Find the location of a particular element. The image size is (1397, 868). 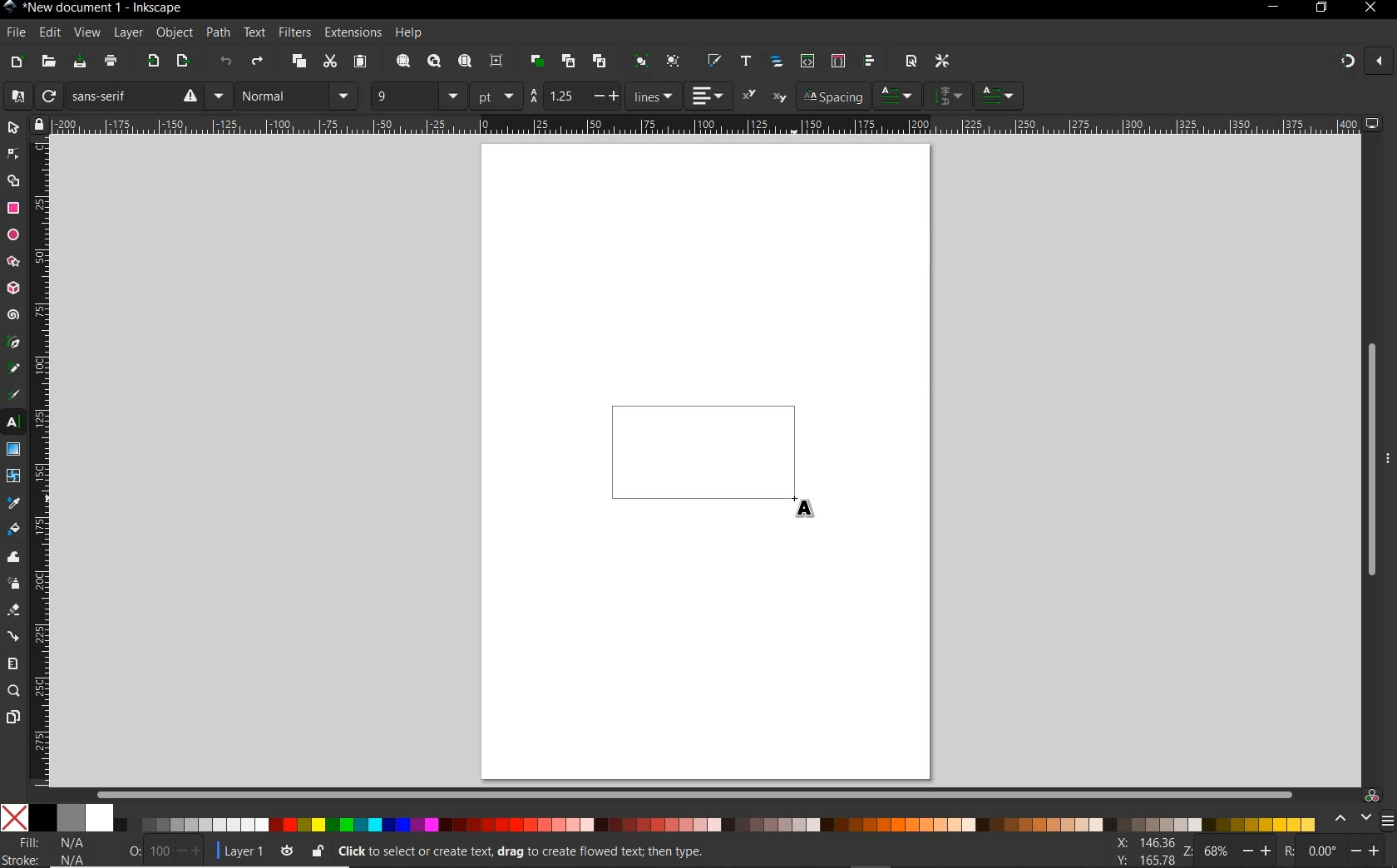

open preferences is located at coordinates (943, 62).